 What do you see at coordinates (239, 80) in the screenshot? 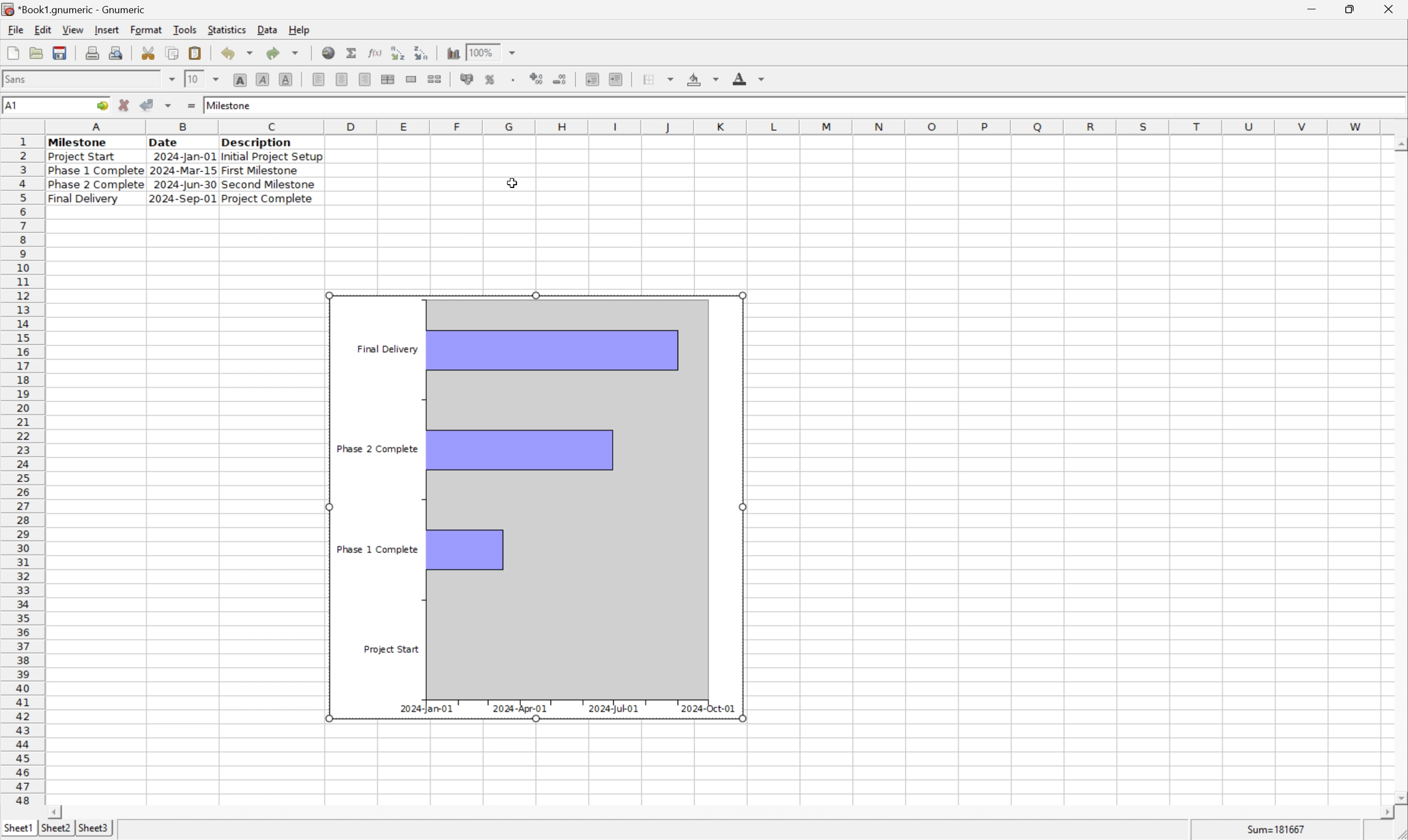
I see `bold` at bounding box center [239, 80].